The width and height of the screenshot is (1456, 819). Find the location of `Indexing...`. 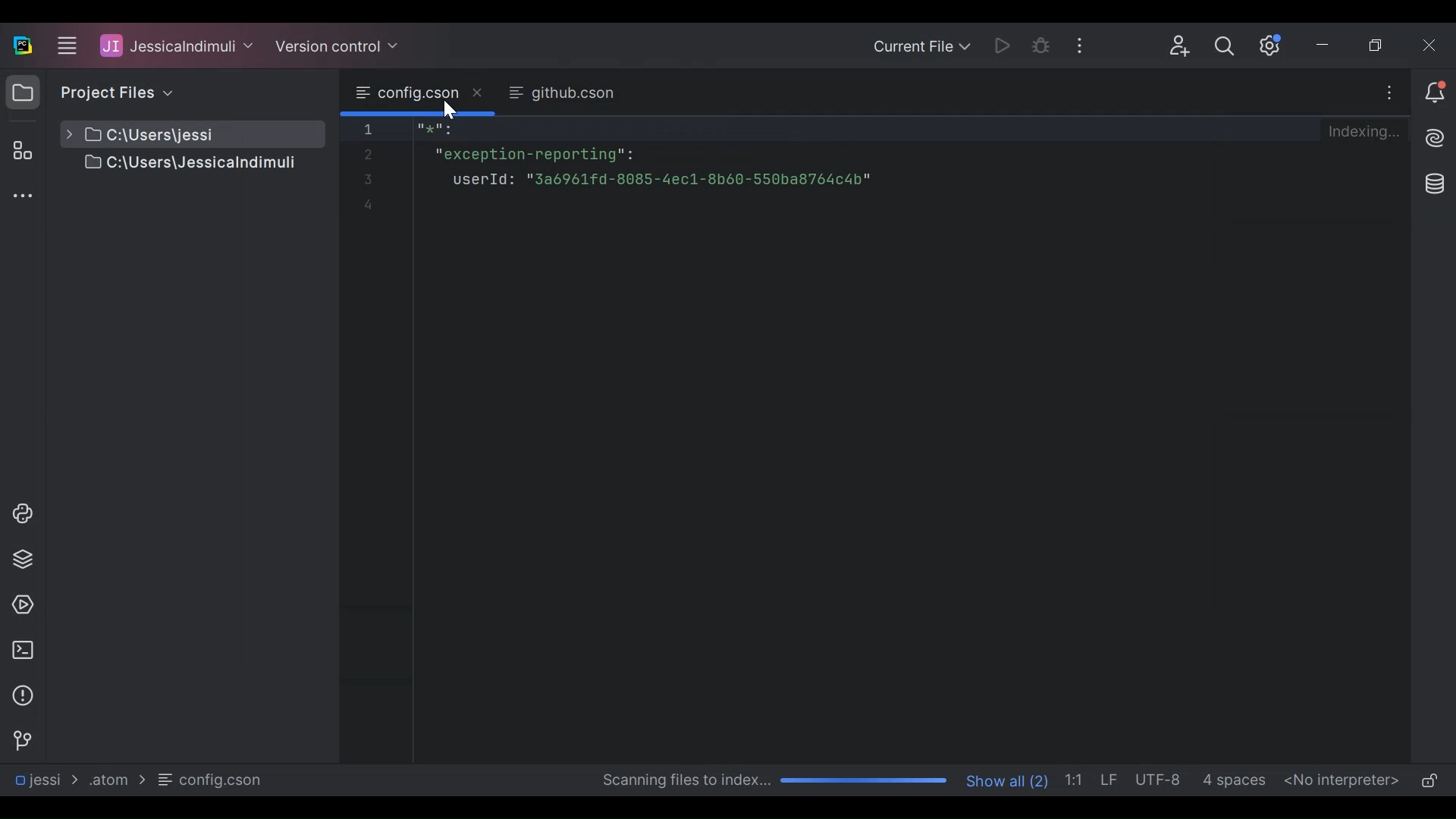

Indexing... is located at coordinates (1368, 132).